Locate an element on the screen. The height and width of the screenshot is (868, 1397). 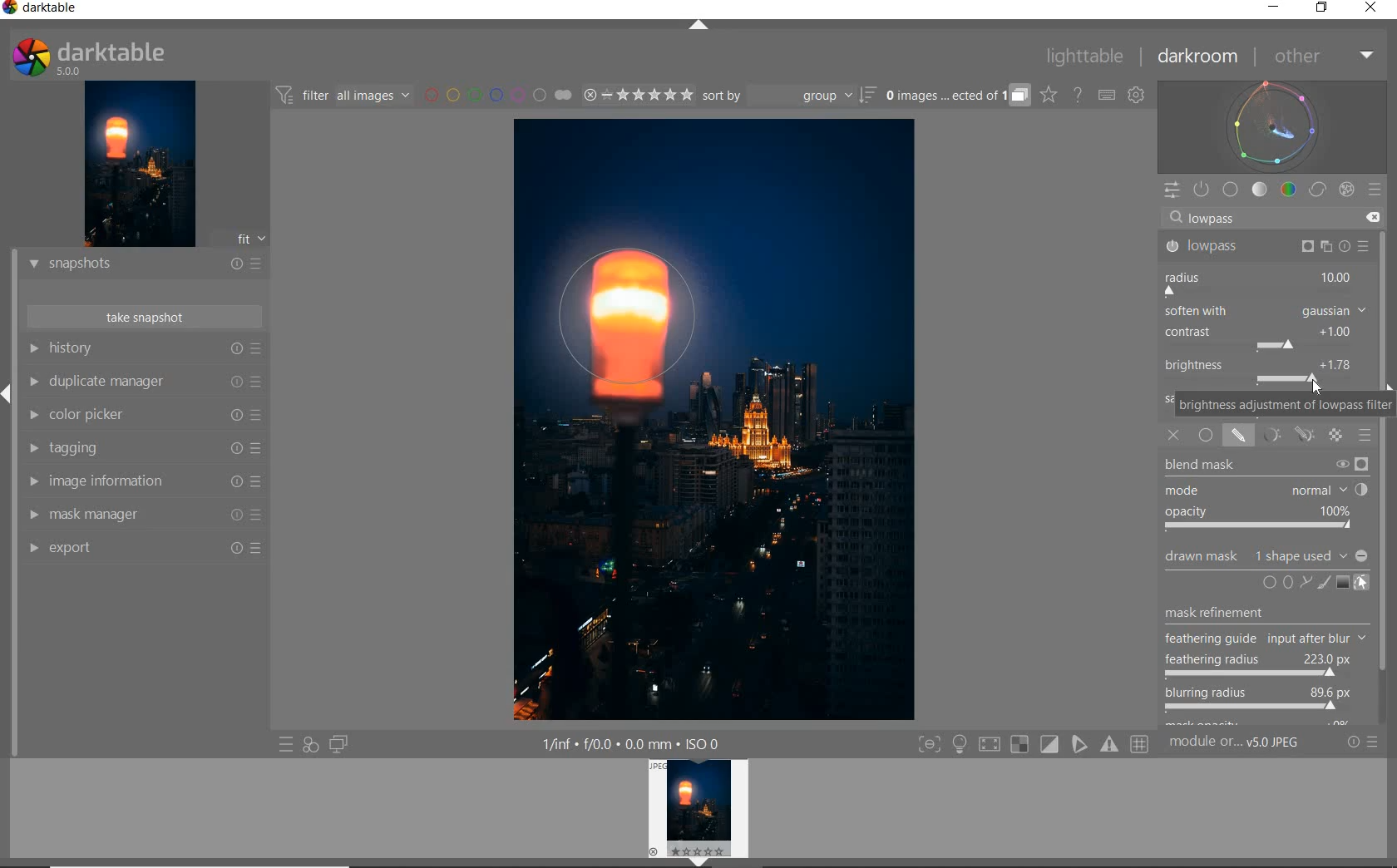
QUICK ACCESS FOR APPLYING ANY OF YOUR STYLES is located at coordinates (309, 745).